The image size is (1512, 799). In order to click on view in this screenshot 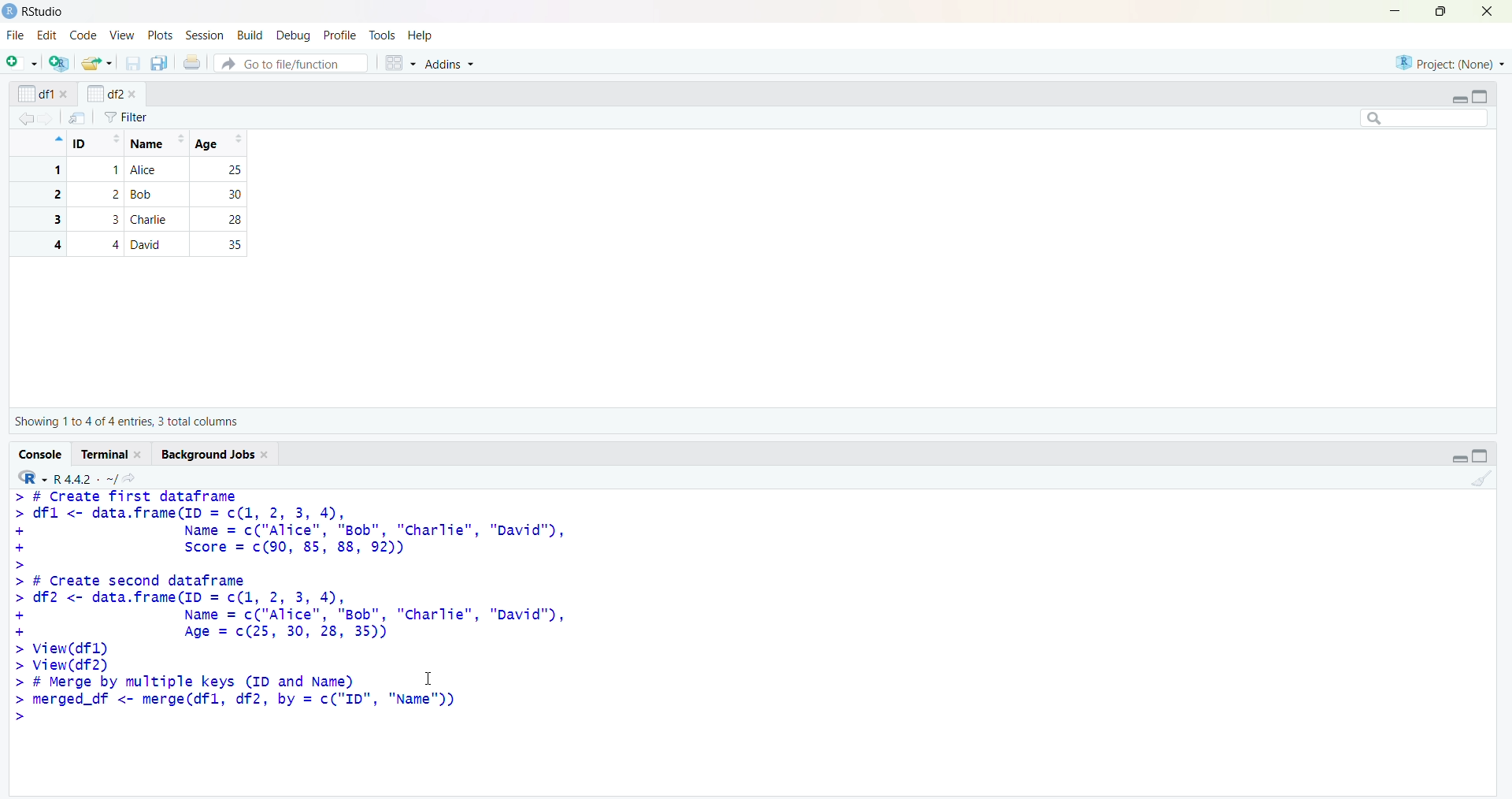, I will do `click(123, 36)`.